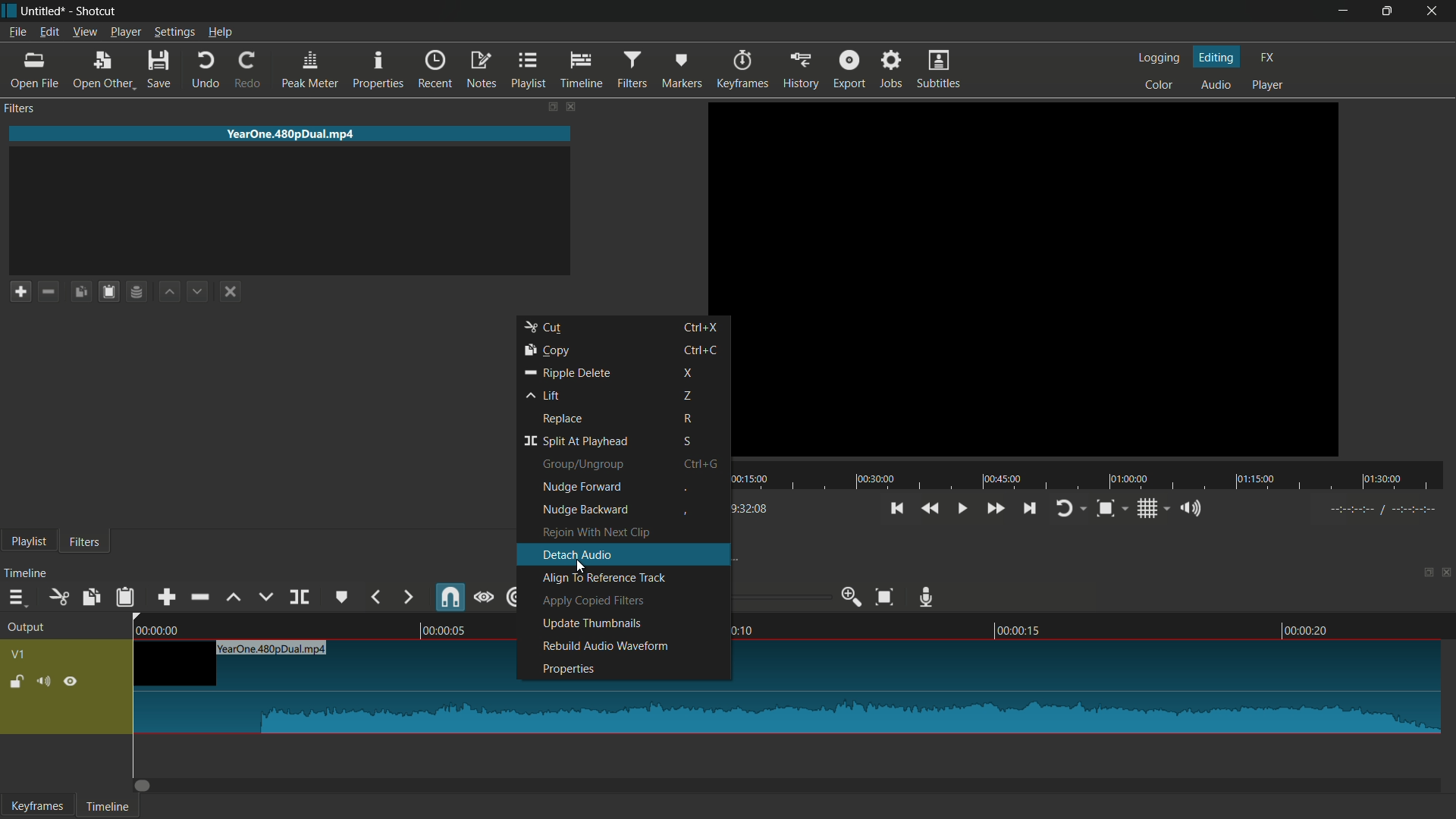  I want to click on move filter up, so click(168, 292).